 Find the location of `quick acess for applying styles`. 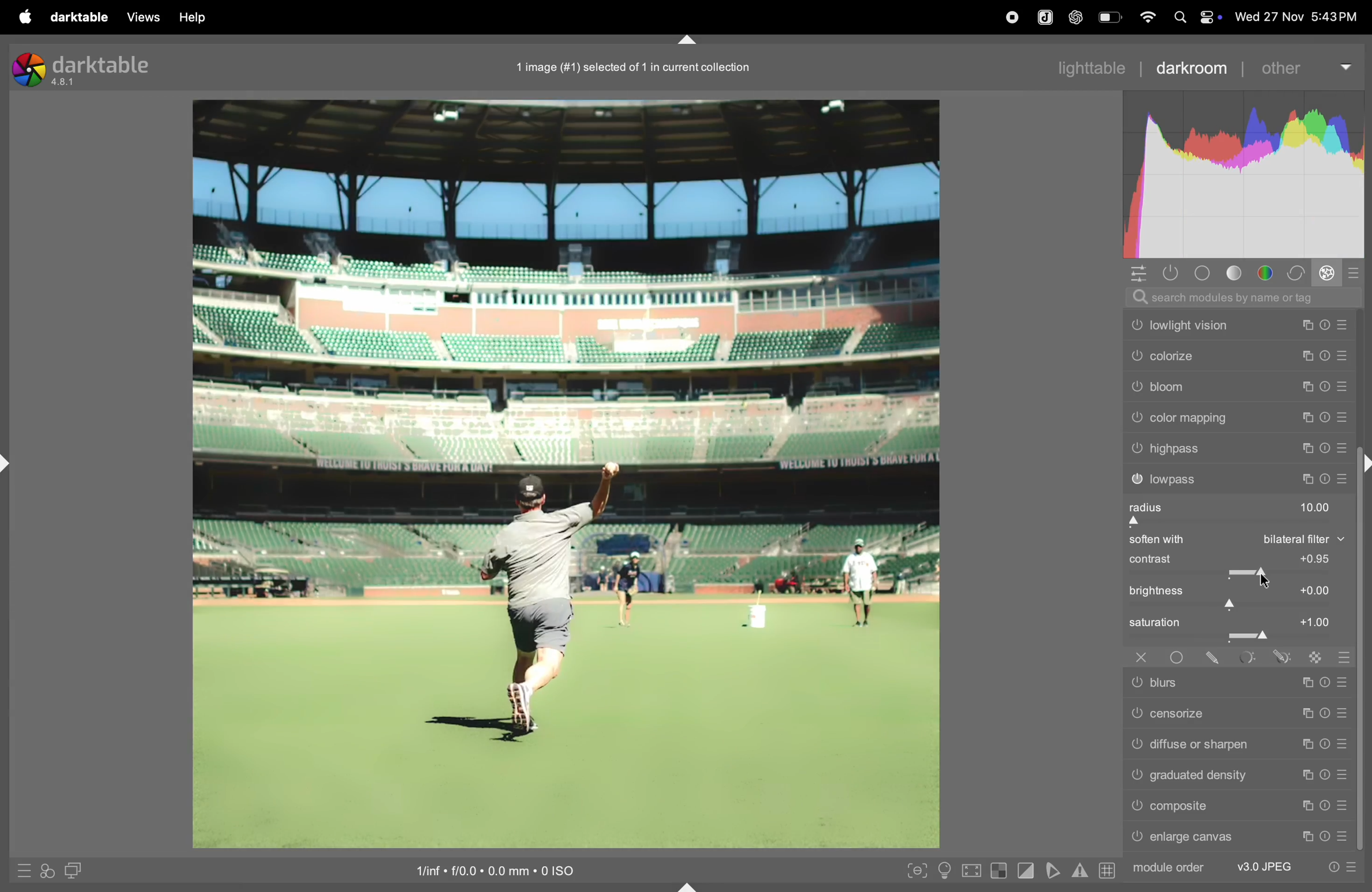

quick acess for applying styles is located at coordinates (47, 870).